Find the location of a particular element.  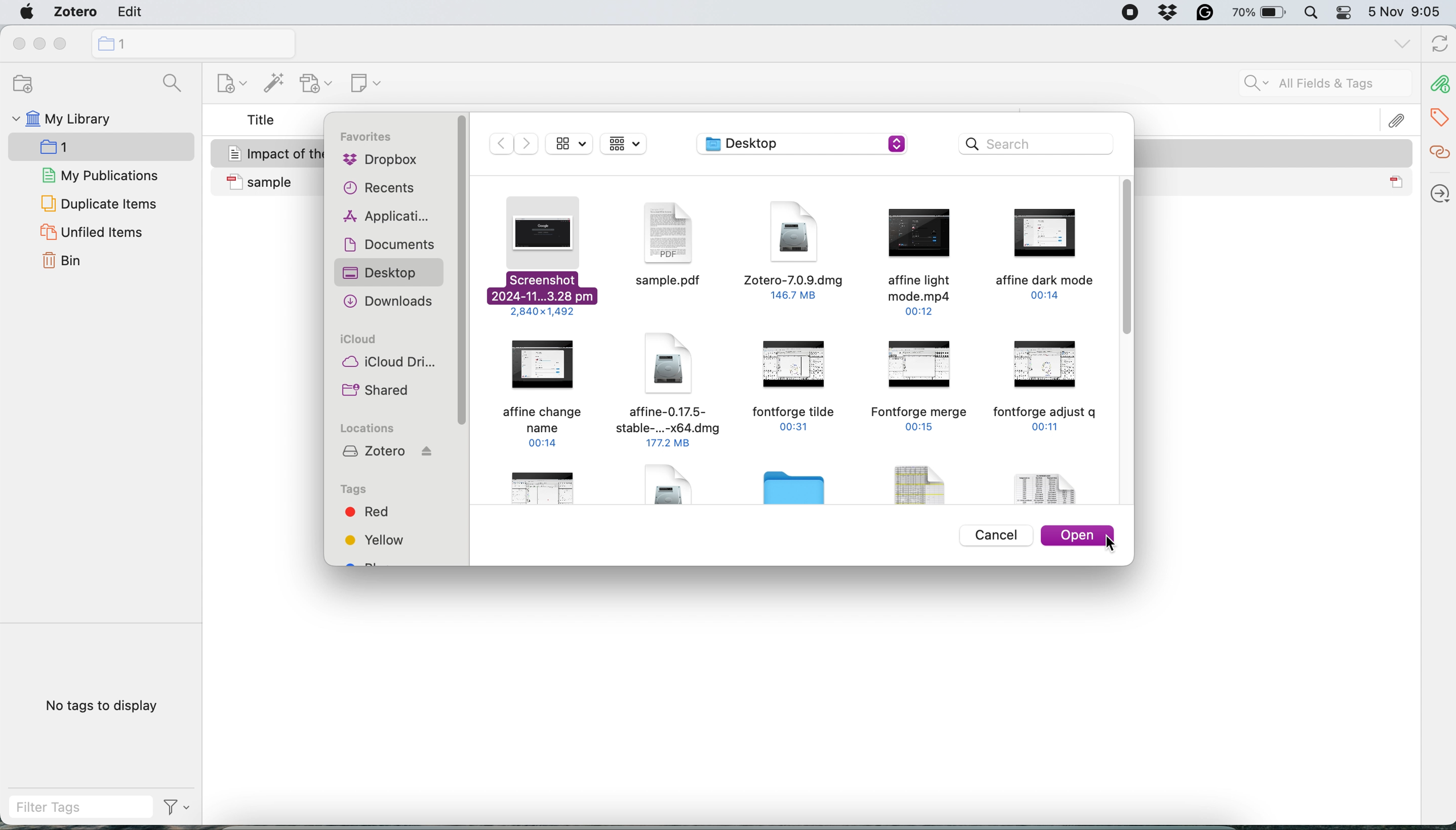

fontforge tilde is located at coordinates (795, 392).